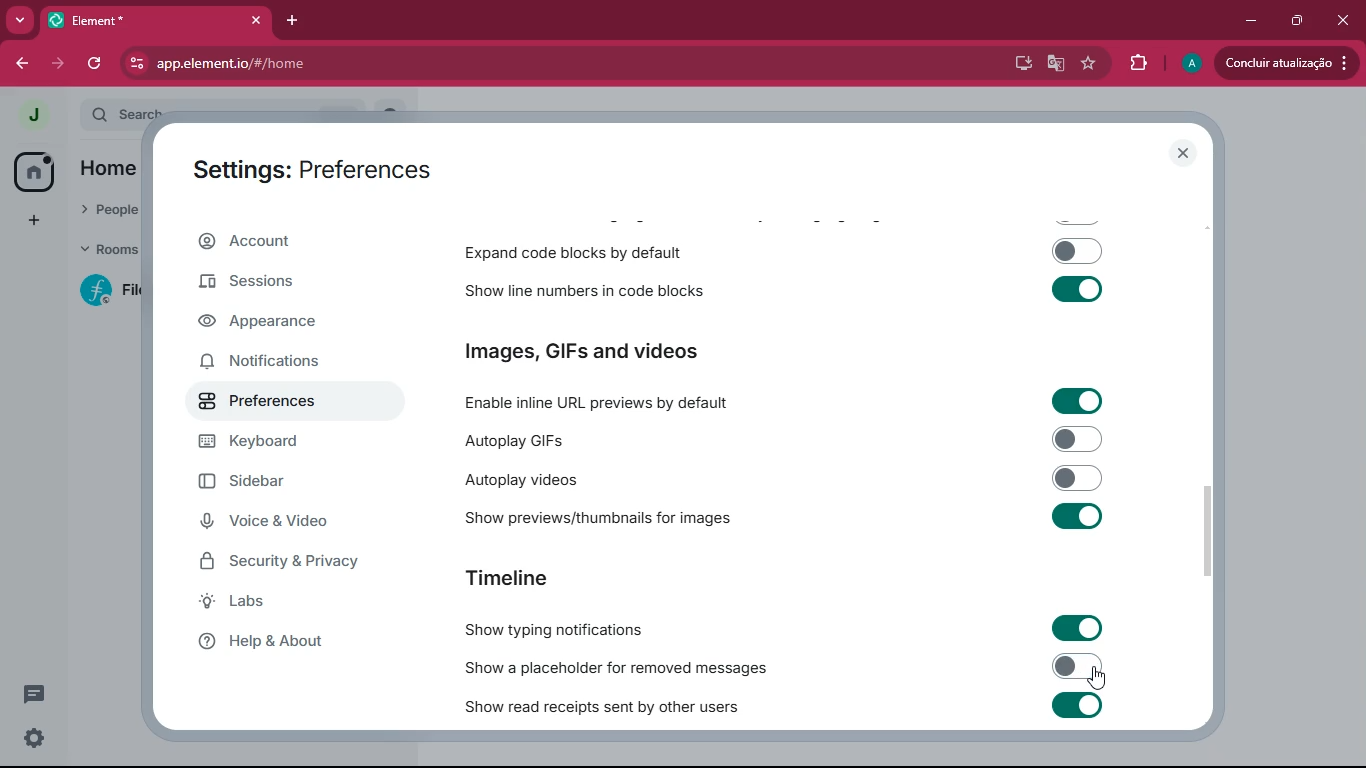 This screenshot has height=768, width=1366. I want to click on appearance, so click(275, 323).